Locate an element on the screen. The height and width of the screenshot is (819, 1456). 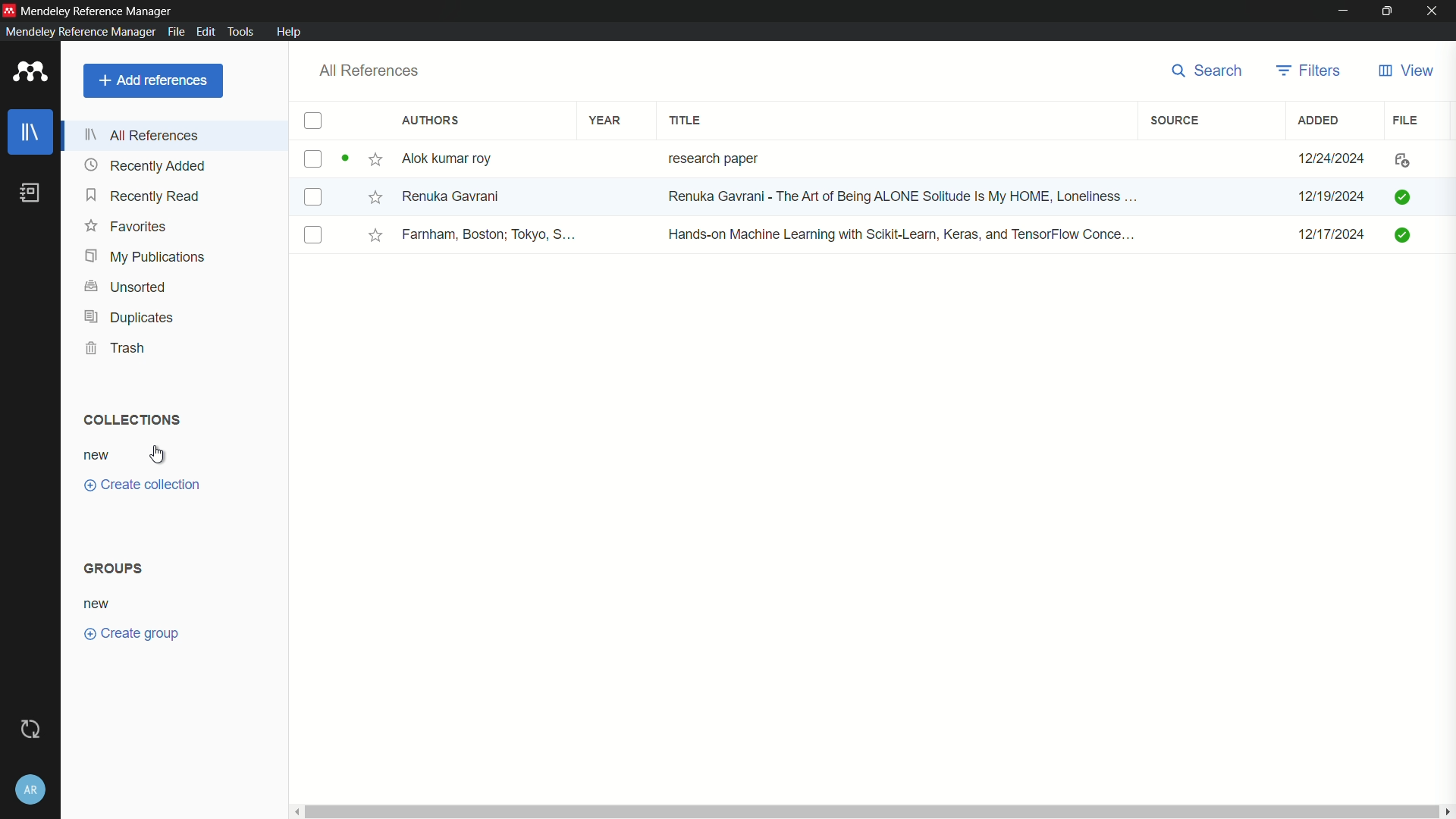
book is located at coordinates (29, 193).